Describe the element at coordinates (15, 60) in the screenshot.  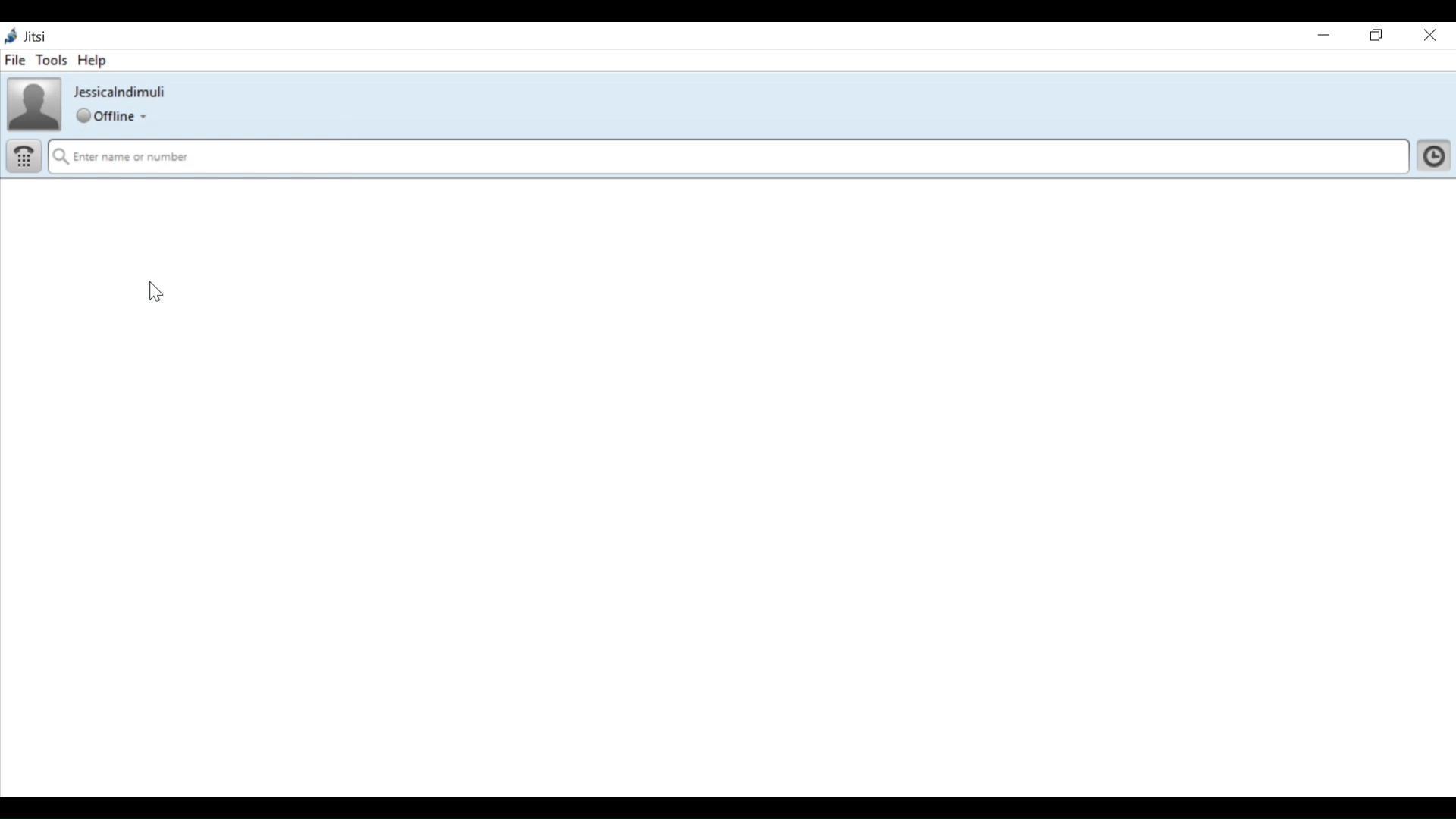
I see `File` at that location.